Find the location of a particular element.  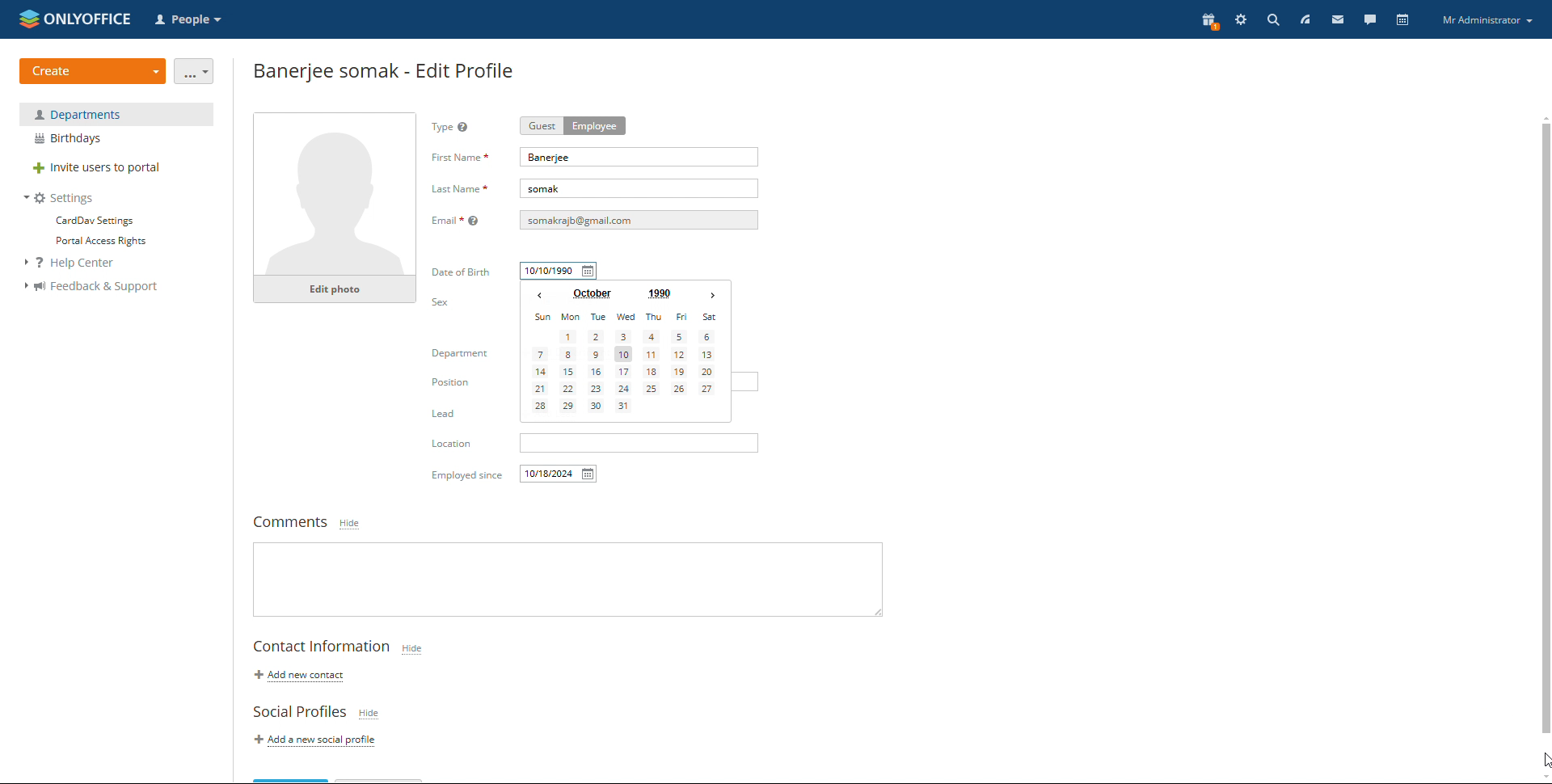

resize is located at coordinates (876, 611).